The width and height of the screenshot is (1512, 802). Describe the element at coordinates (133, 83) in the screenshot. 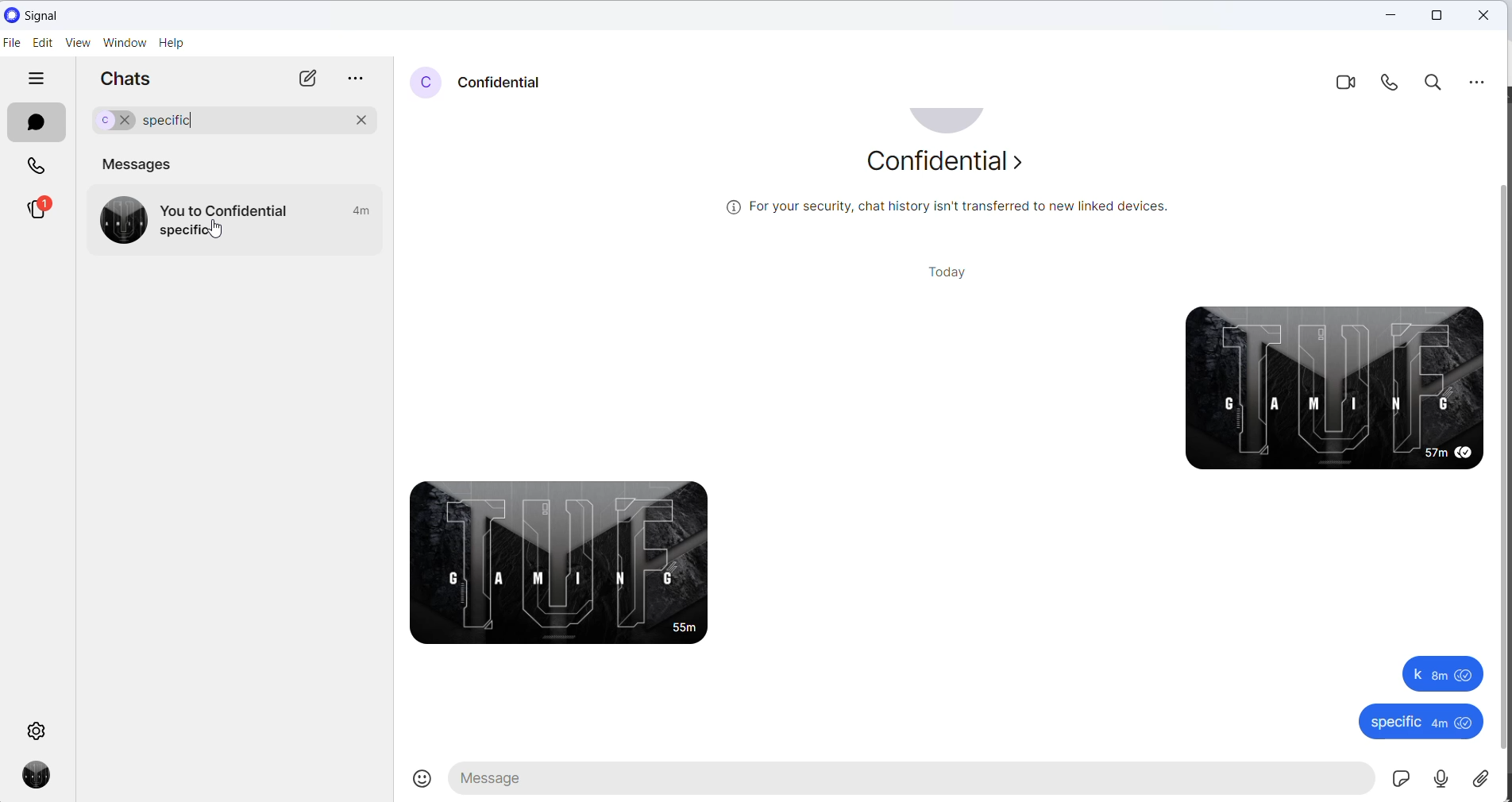

I see `chats heading` at that location.